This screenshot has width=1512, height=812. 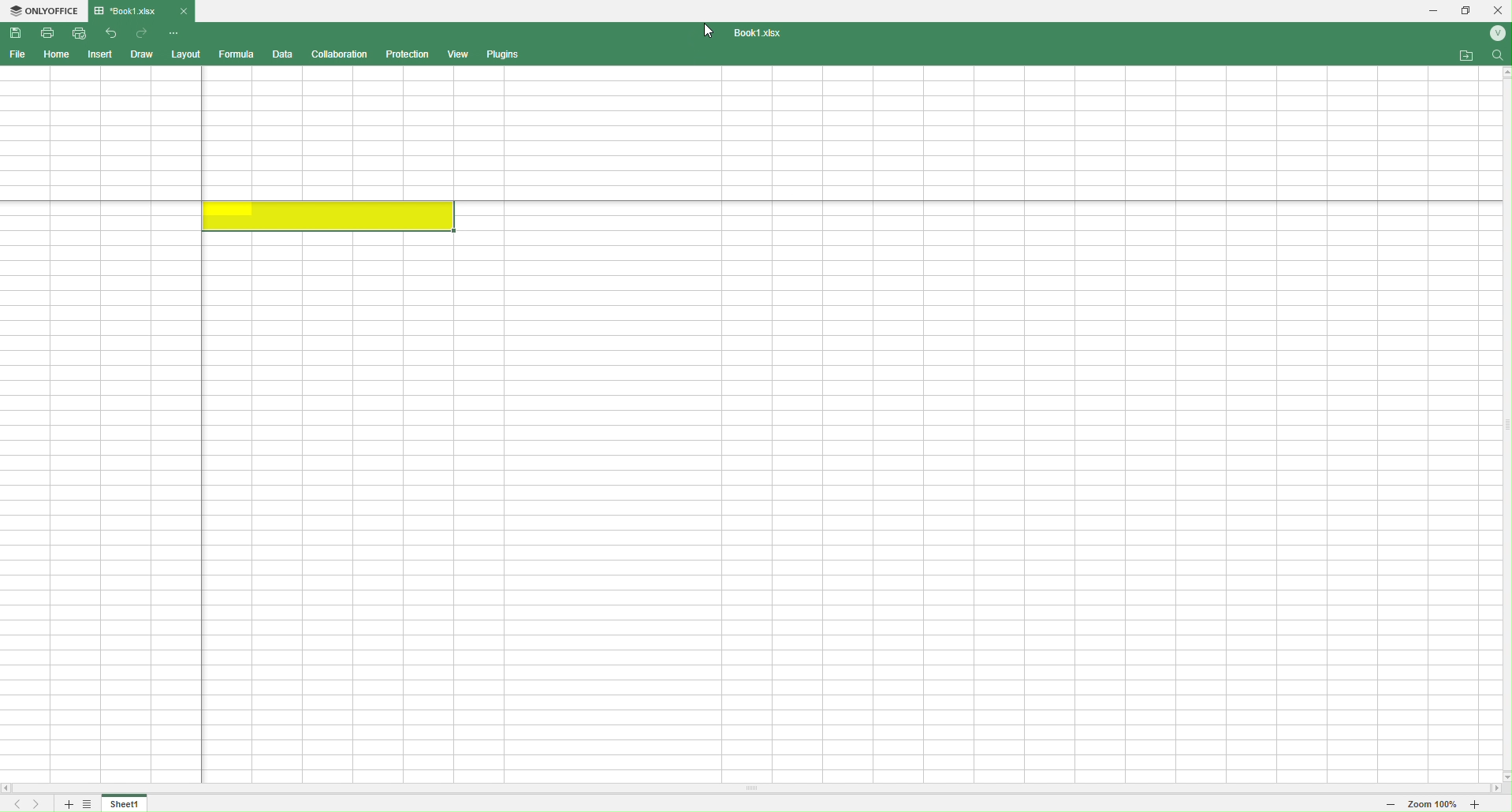 What do you see at coordinates (17, 54) in the screenshot?
I see `File` at bounding box center [17, 54].